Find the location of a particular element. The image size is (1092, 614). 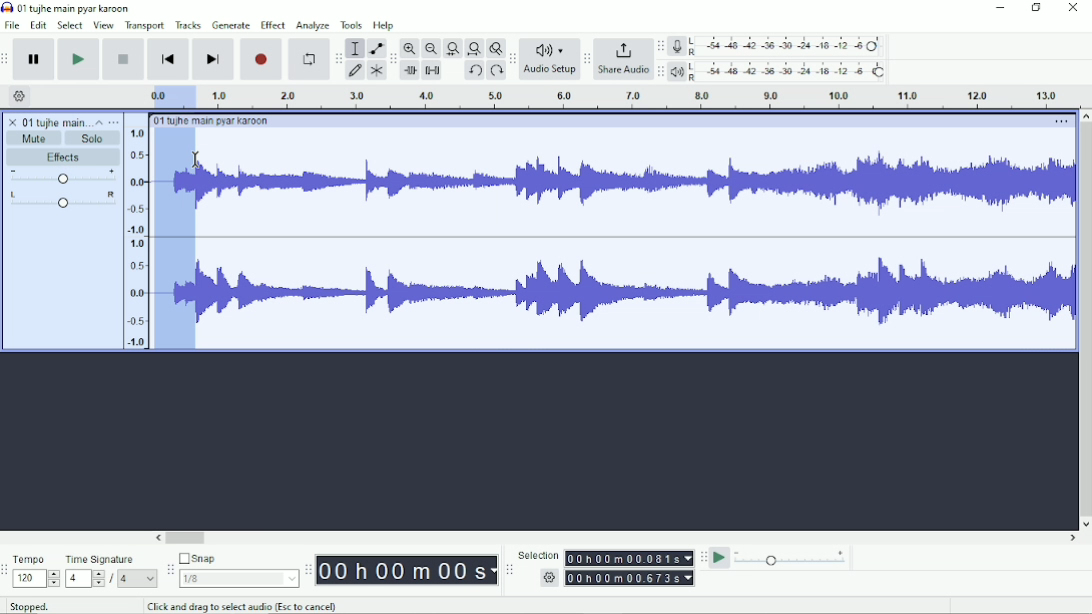

Audacity tools toolbar is located at coordinates (338, 55).